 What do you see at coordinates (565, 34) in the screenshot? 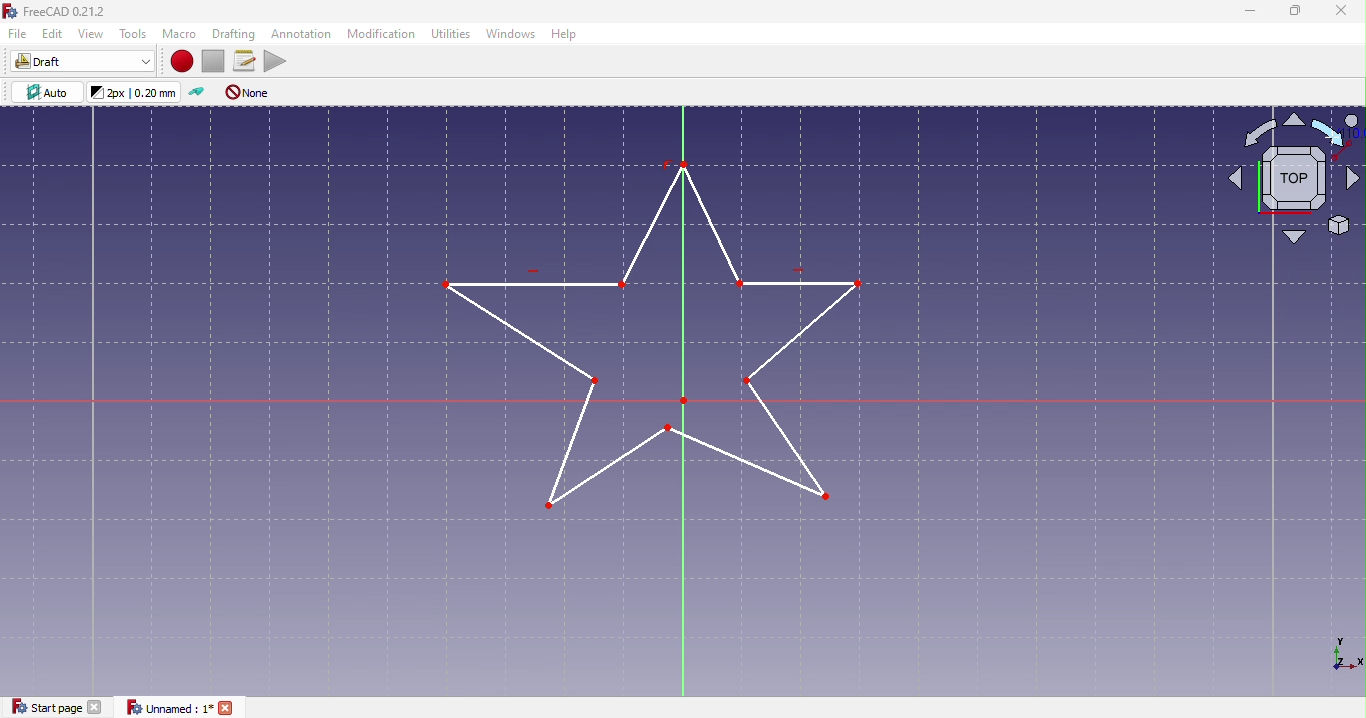
I see `Help` at bounding box center [565, 34].